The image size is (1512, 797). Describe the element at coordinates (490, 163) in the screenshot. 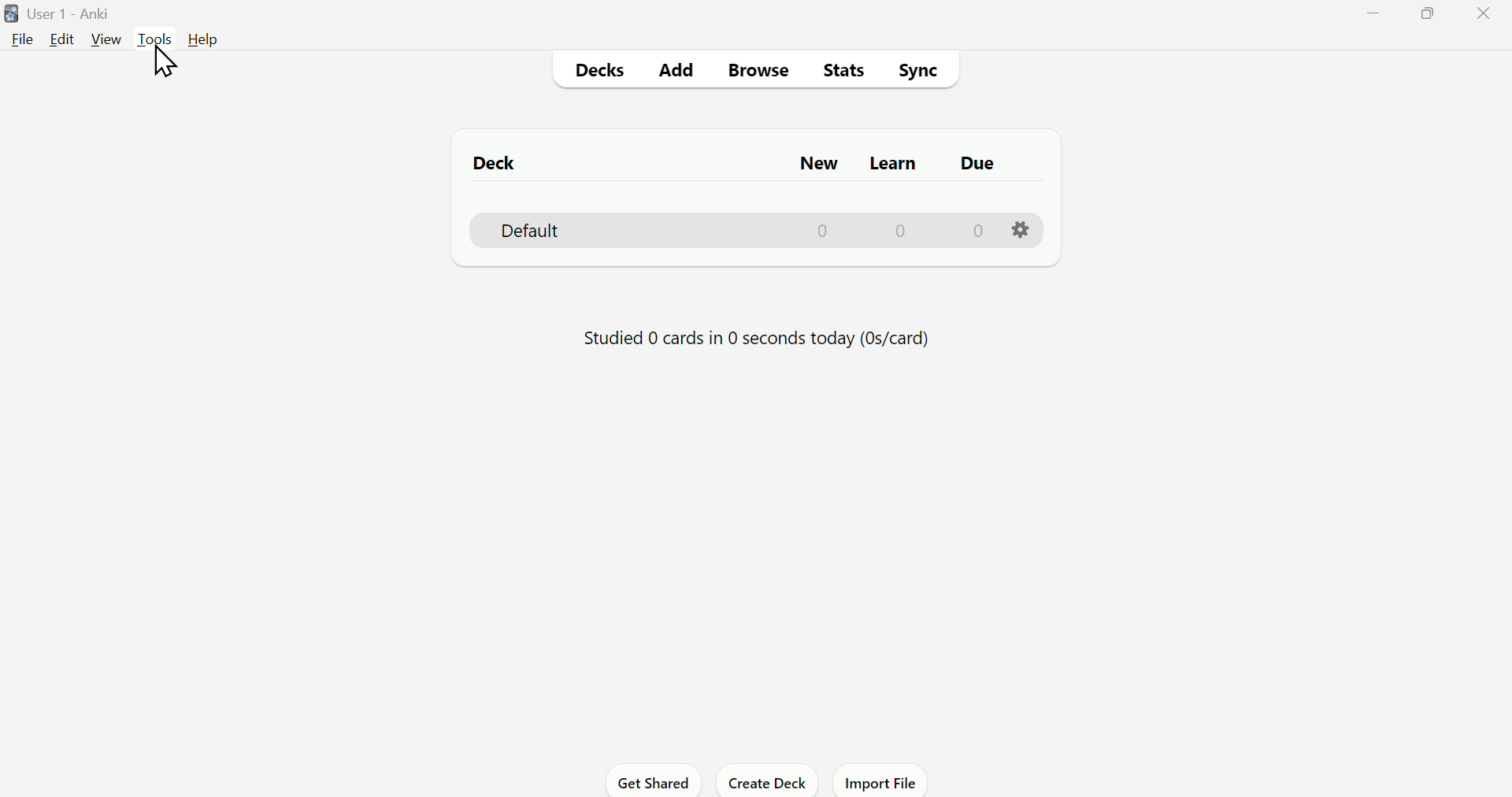

I see `Deck` at that location.